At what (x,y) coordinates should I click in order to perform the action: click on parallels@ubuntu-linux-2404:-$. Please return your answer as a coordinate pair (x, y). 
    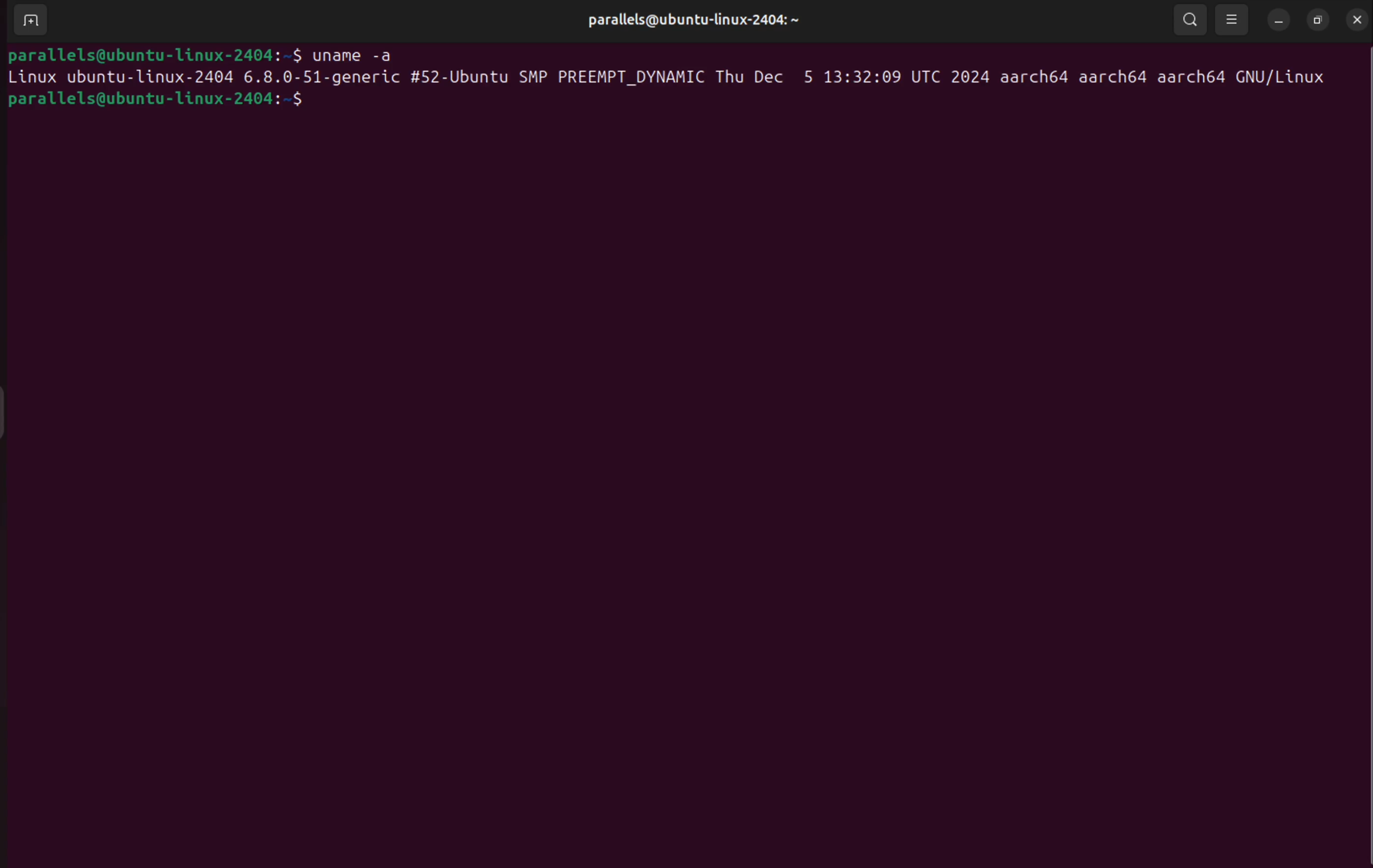
    Looking at the image, I should click on (156, 104).